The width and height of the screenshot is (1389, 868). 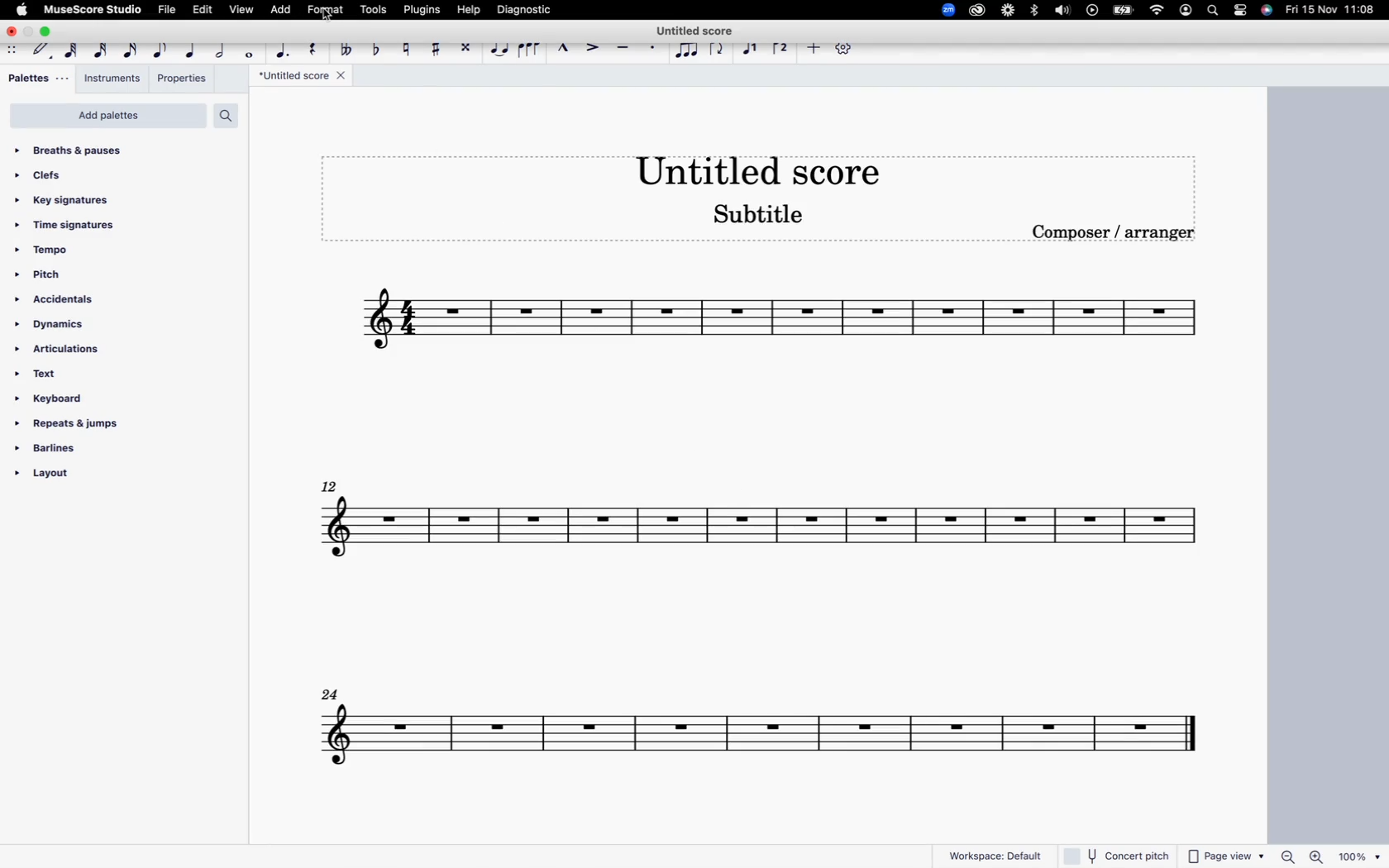 I want to click on more, so click(x=814, y=51).